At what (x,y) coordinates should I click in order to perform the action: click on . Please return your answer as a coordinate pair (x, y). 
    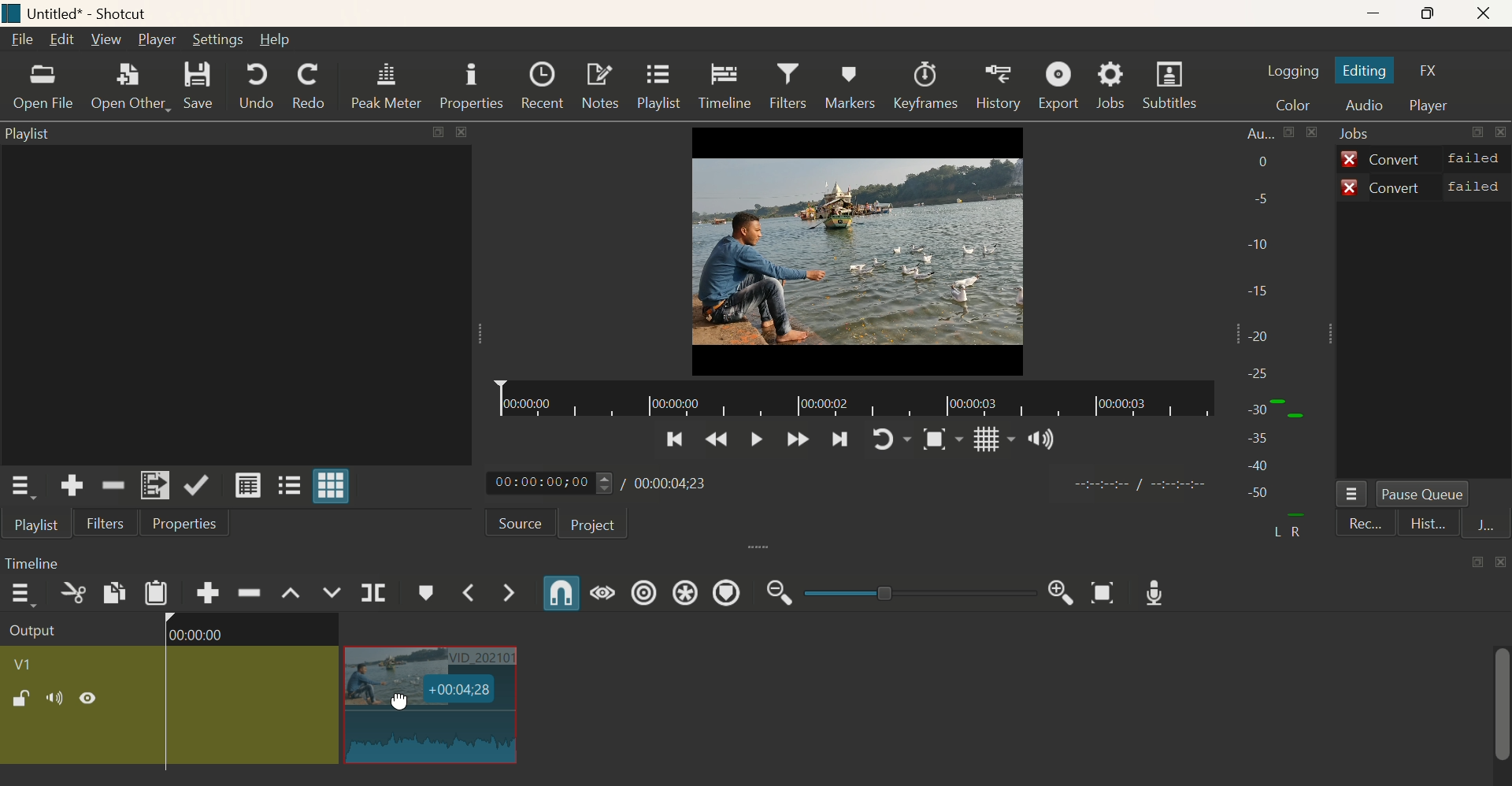
    Looking at the image, I should click on (600, 525).